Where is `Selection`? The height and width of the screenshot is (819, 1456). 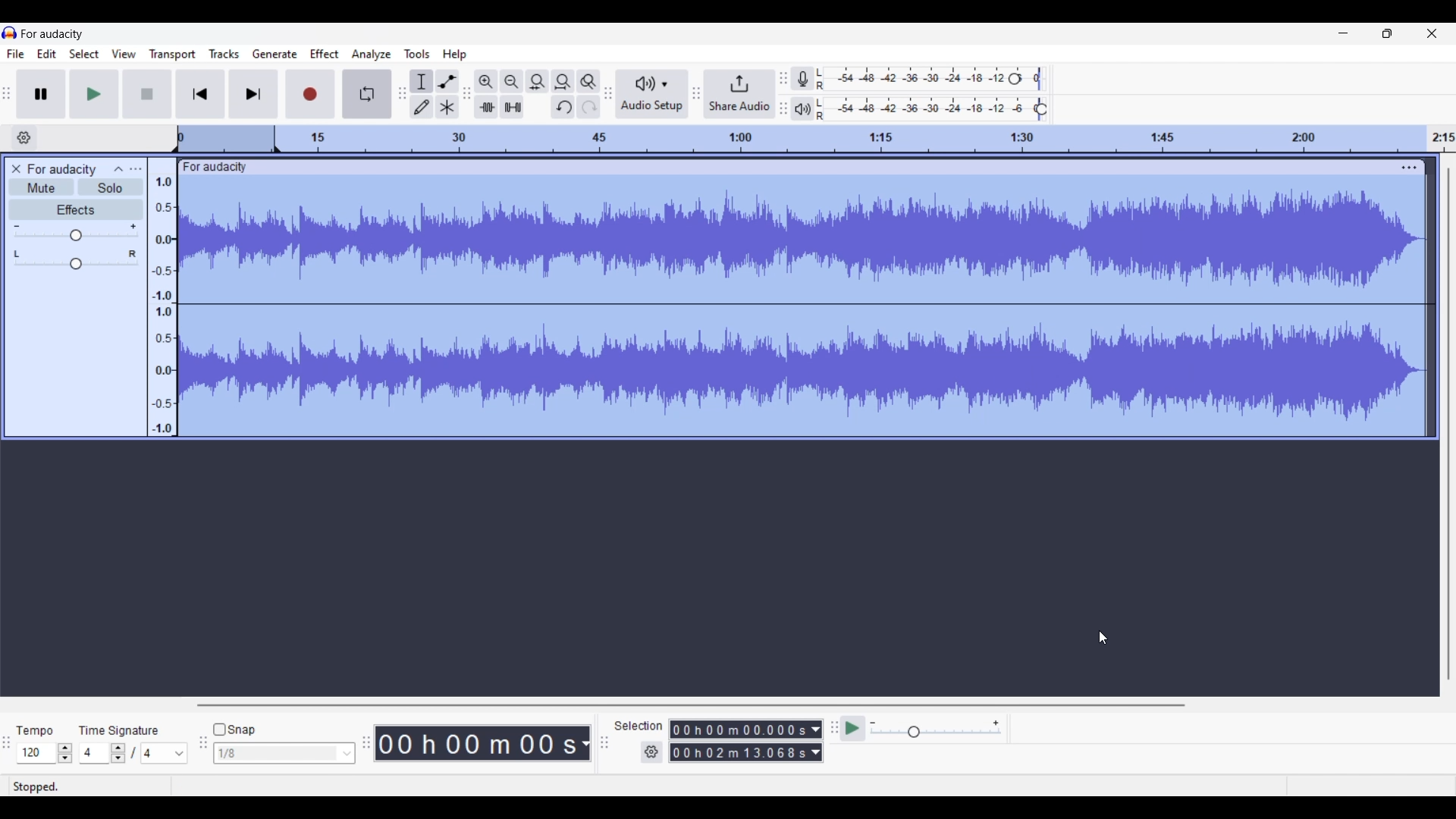 Selection is located at coordinates (639, 727).